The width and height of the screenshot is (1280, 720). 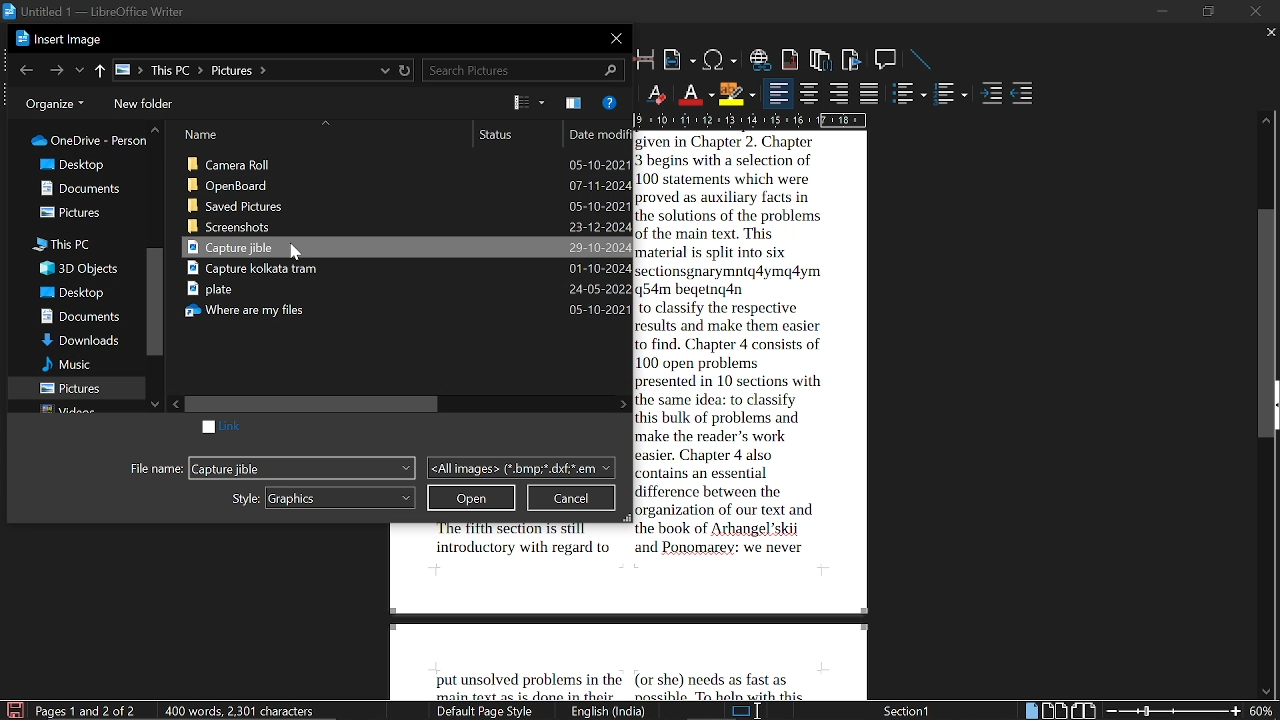 What do you see at coordinates (1267, 688) in the screenshot?
I see `move down` at bounding box center [1267, 688].